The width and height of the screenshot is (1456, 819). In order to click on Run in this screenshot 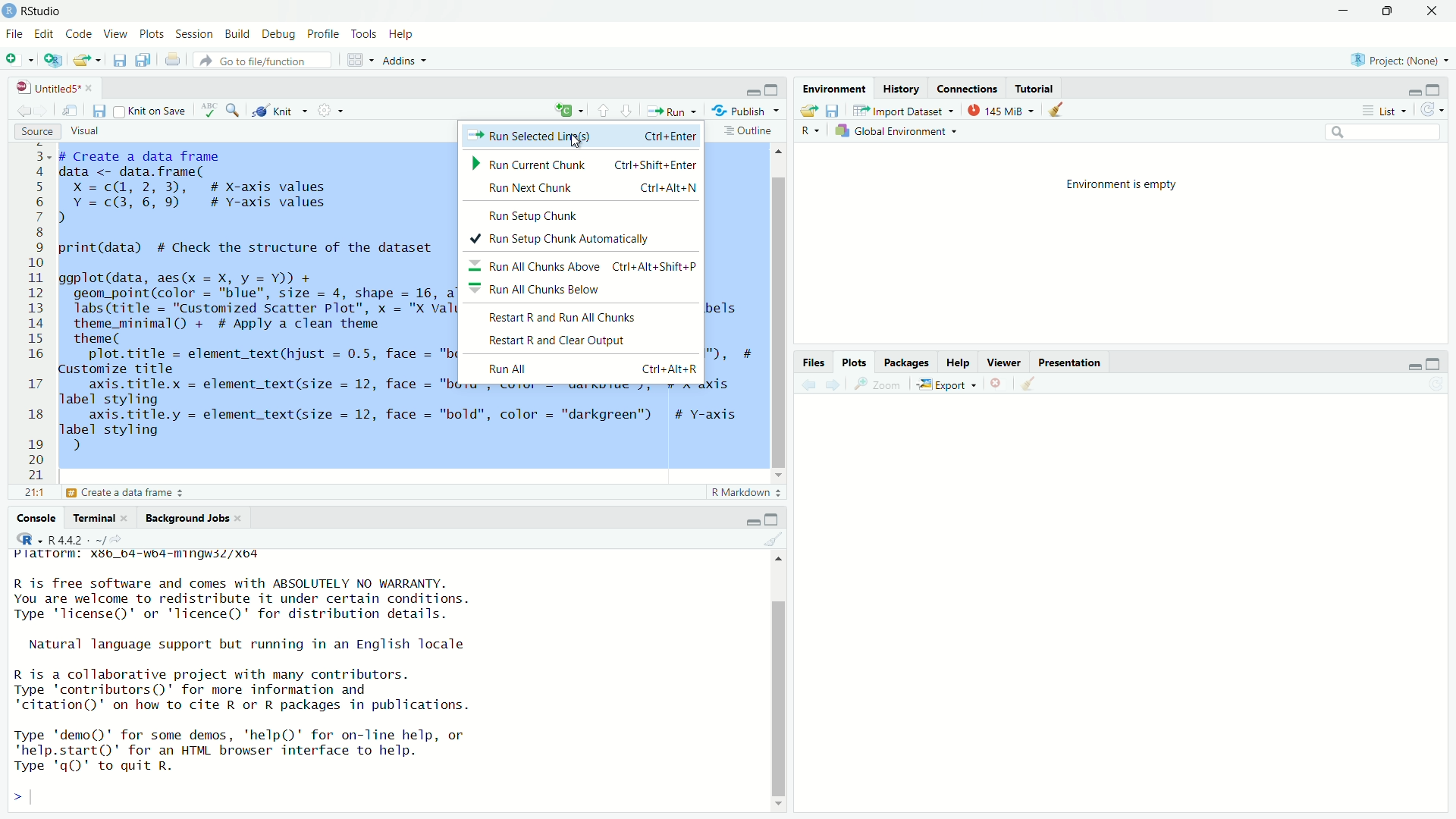, I will do `click(670, 111)`.